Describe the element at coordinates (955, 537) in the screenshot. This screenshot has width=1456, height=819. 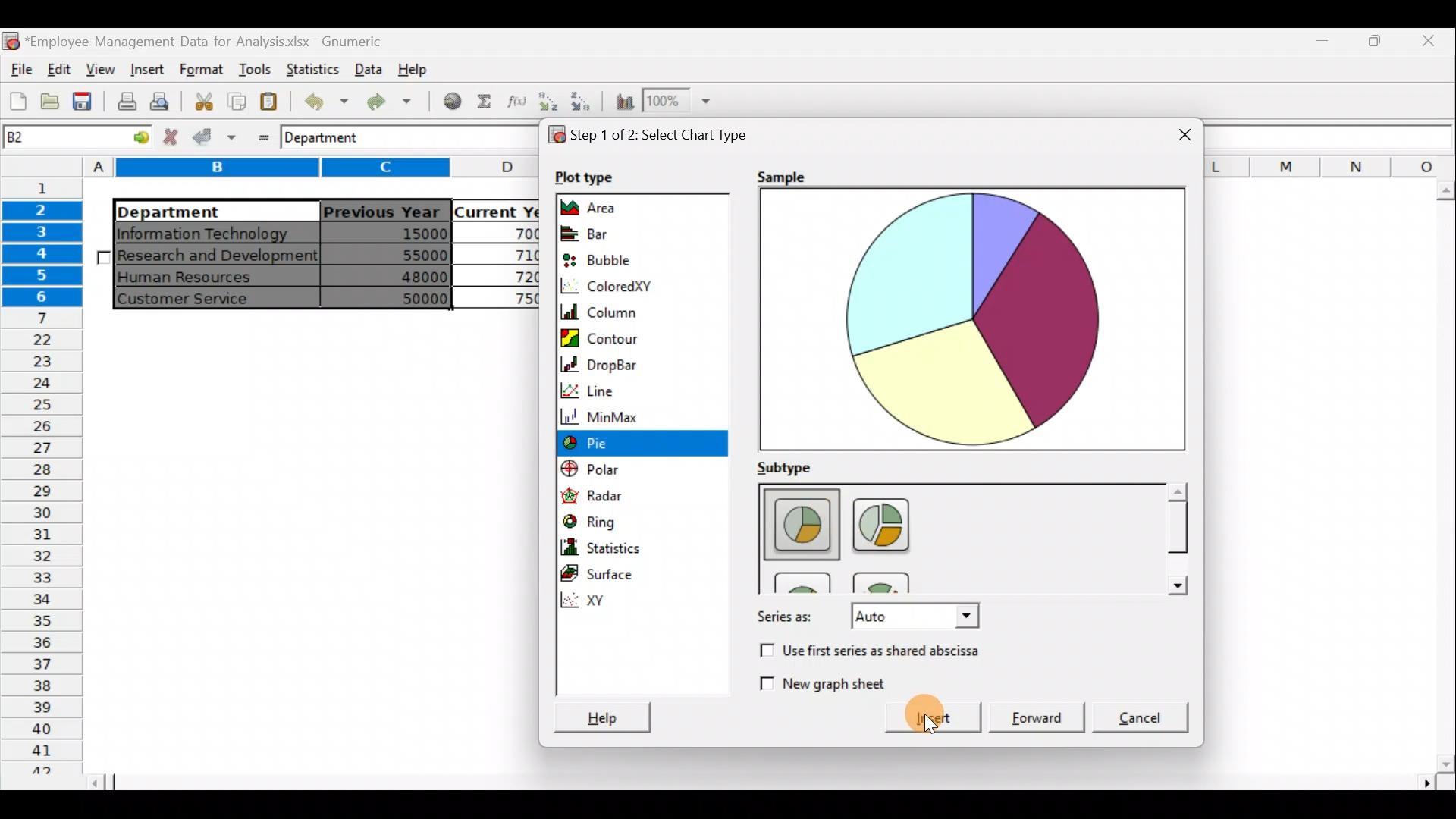
I see `Sub type Preview` at that location.